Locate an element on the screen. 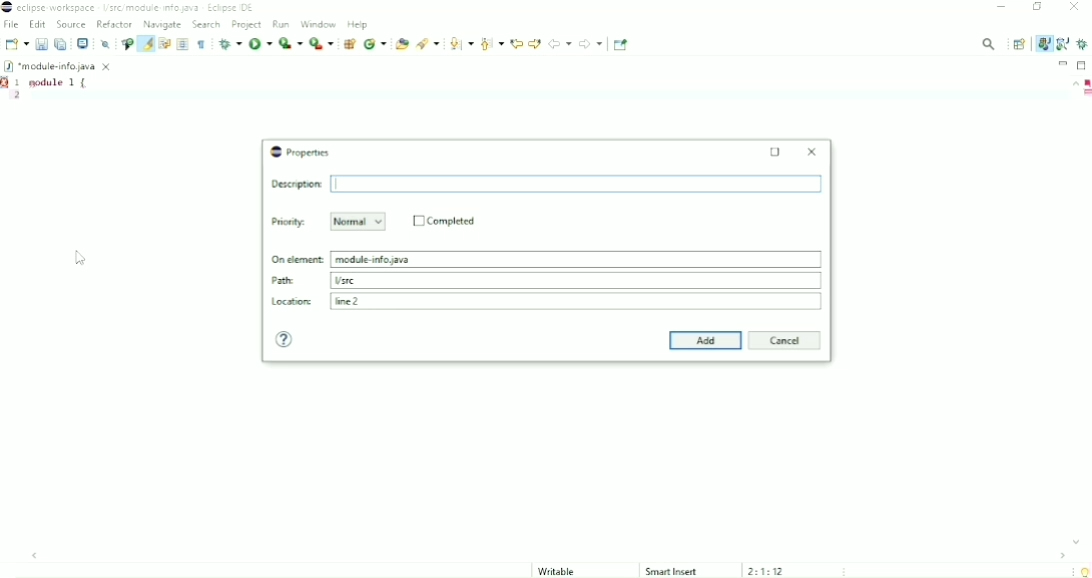  Previous annotation is located at coordinates (491, 44).